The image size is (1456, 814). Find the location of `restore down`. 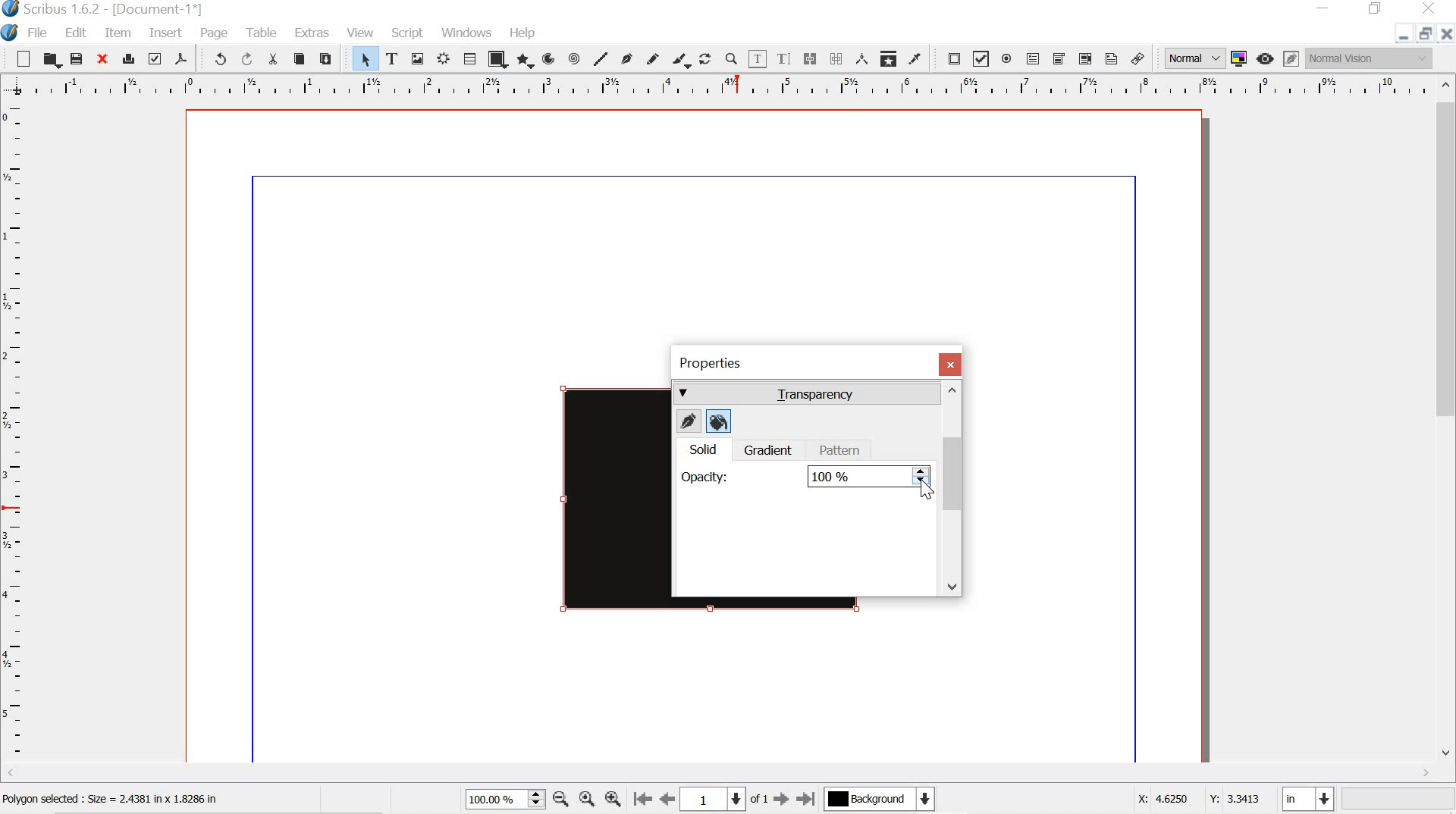

restore down is located at coordinates (1377, 9).